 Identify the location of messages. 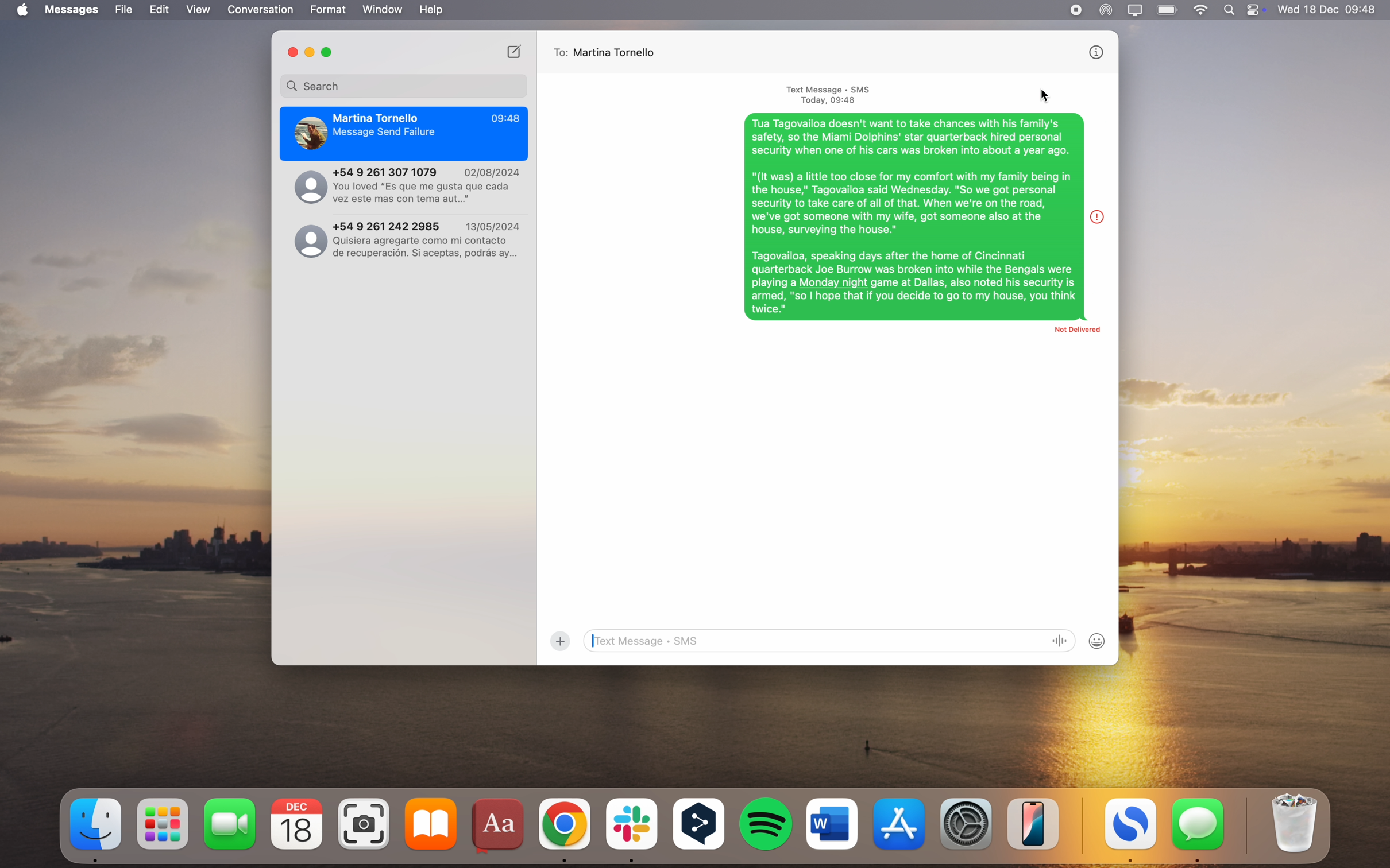
(1199, 830).